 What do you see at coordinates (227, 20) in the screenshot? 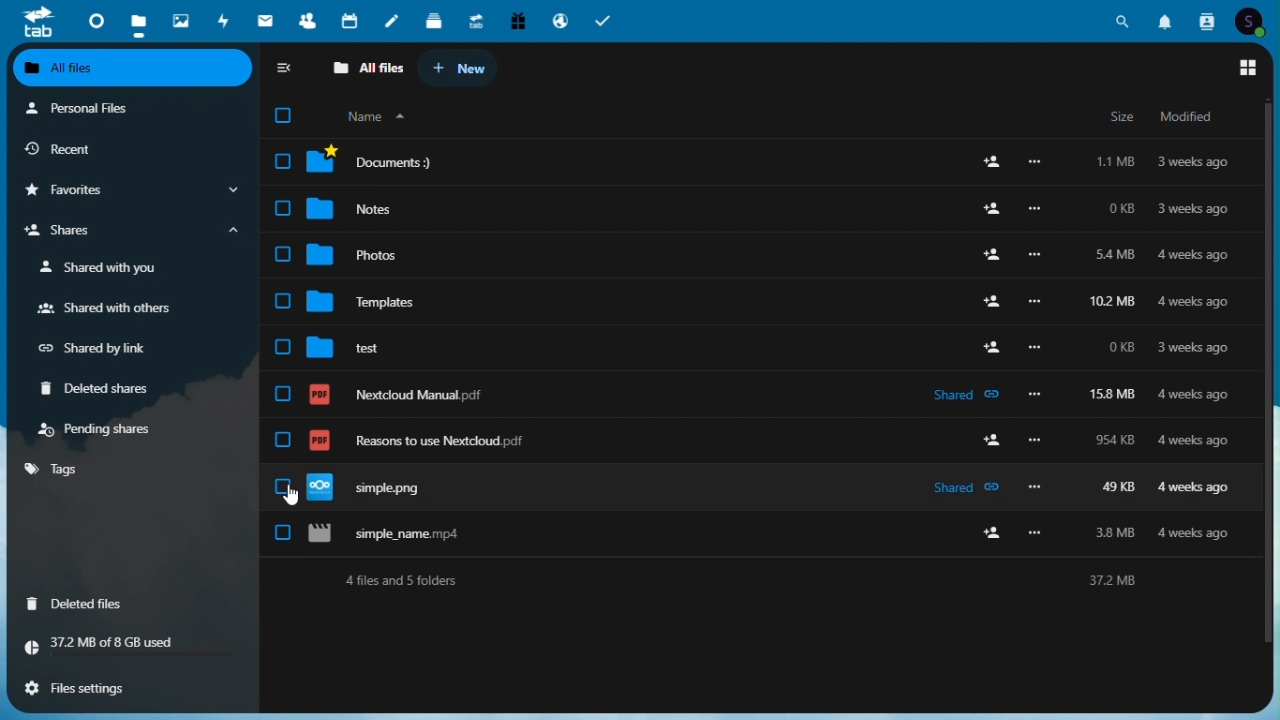
I see `activity` at bounding box center [227, 20].